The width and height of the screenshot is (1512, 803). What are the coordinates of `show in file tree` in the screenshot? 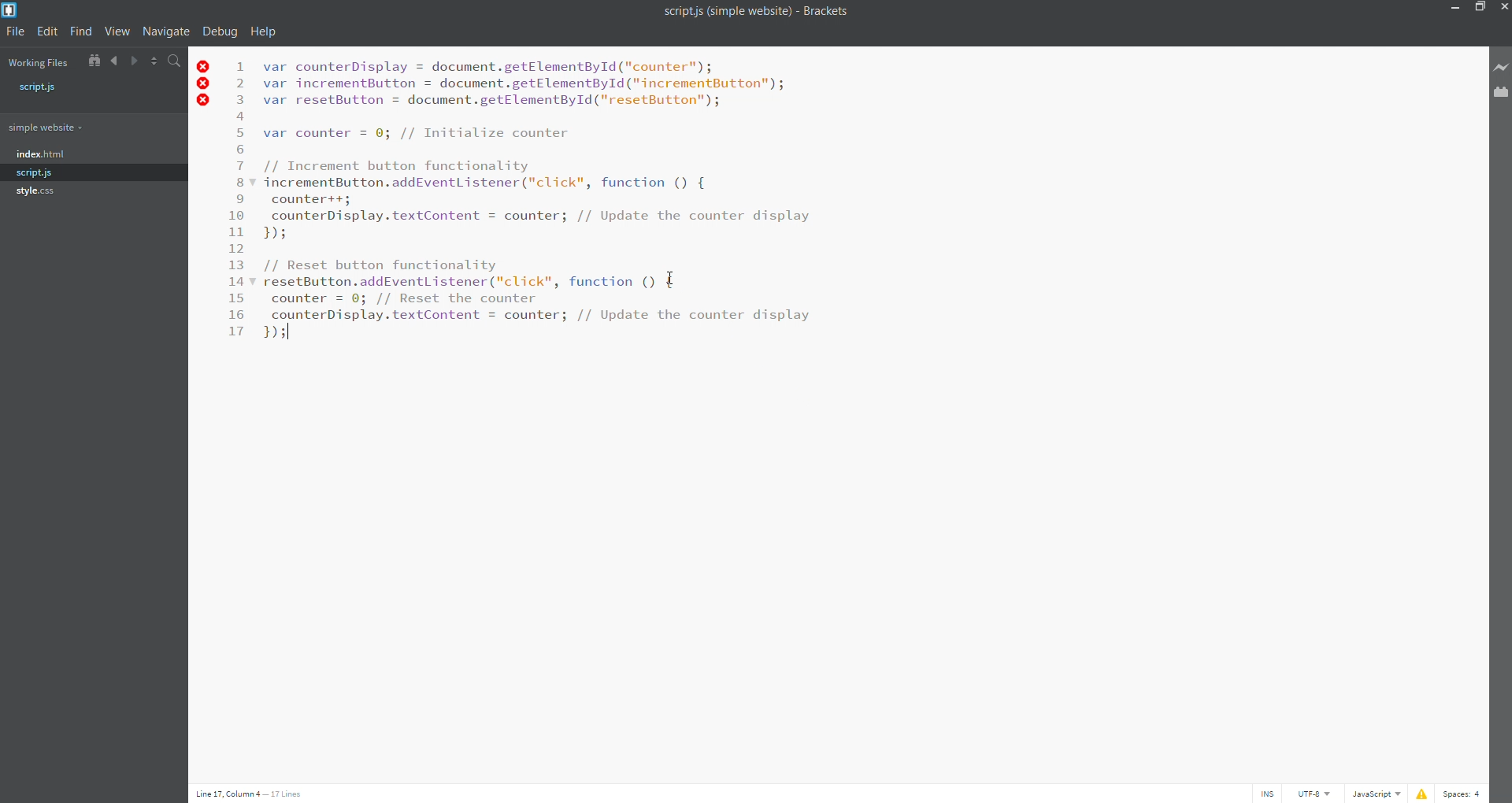 It's located at (93, 60).